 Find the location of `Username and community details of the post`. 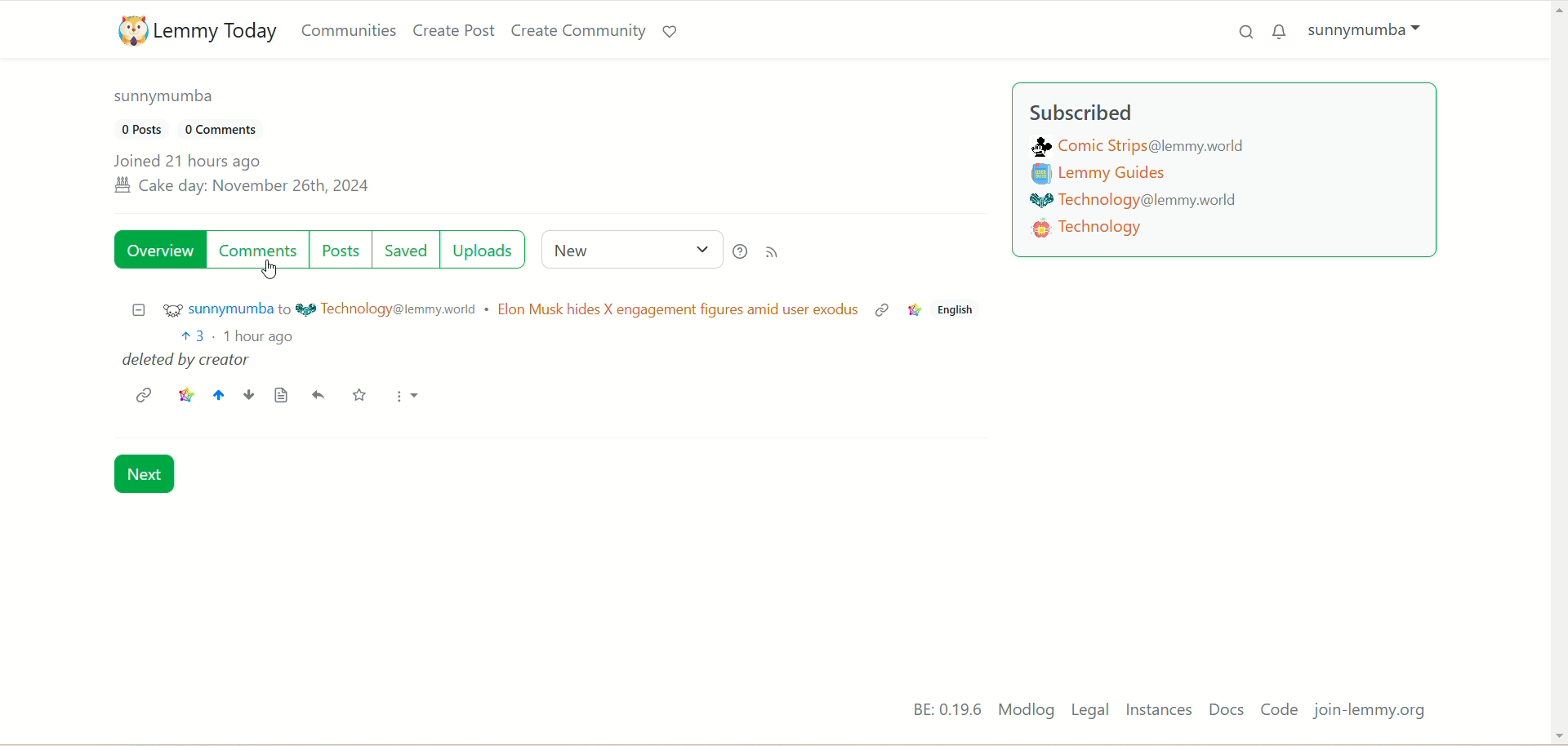

Username and community details of the post is located at coordinates (492, 310).